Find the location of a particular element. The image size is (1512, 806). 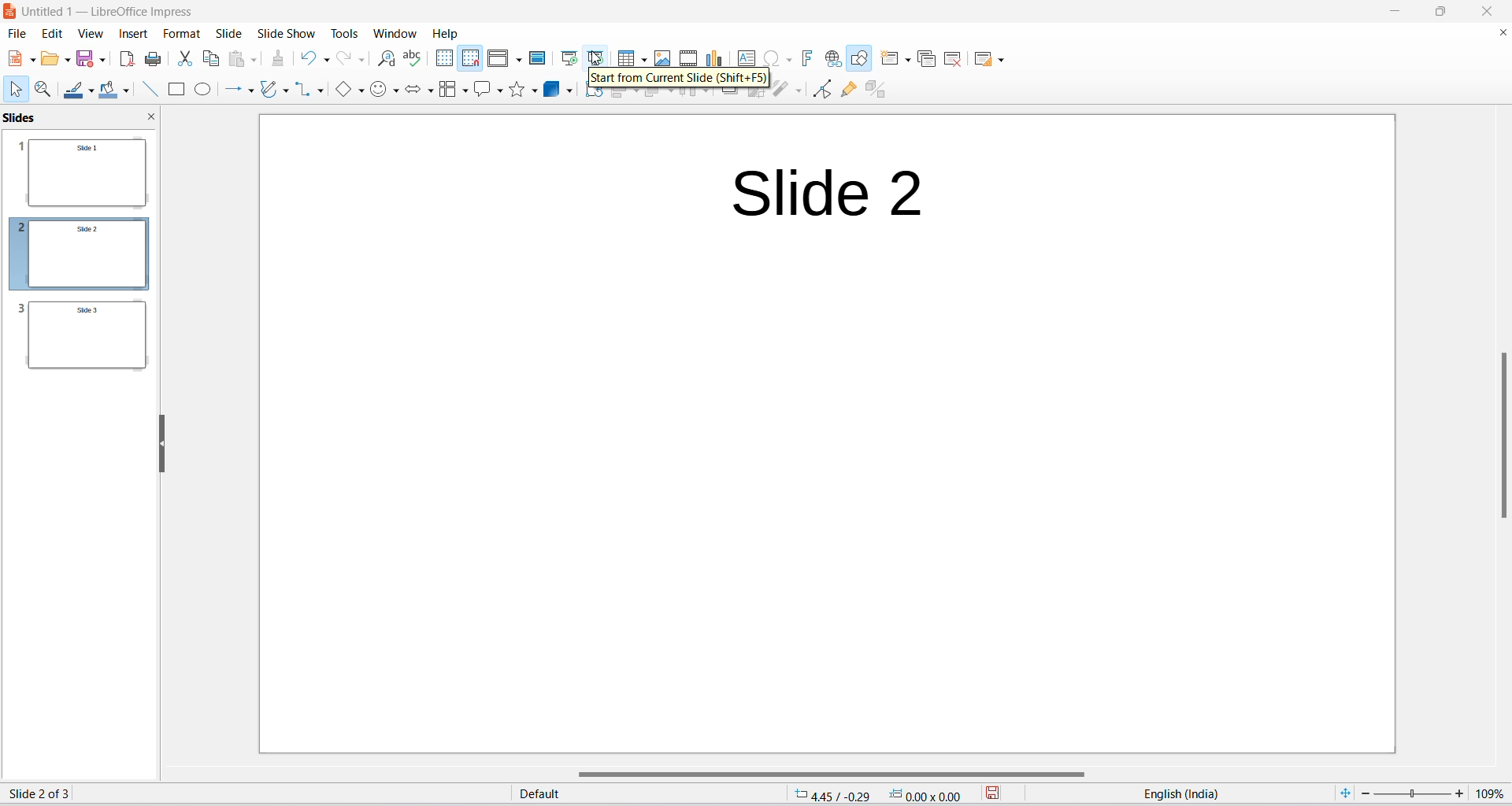

arrows and lines is located at coordinates (231, 90).